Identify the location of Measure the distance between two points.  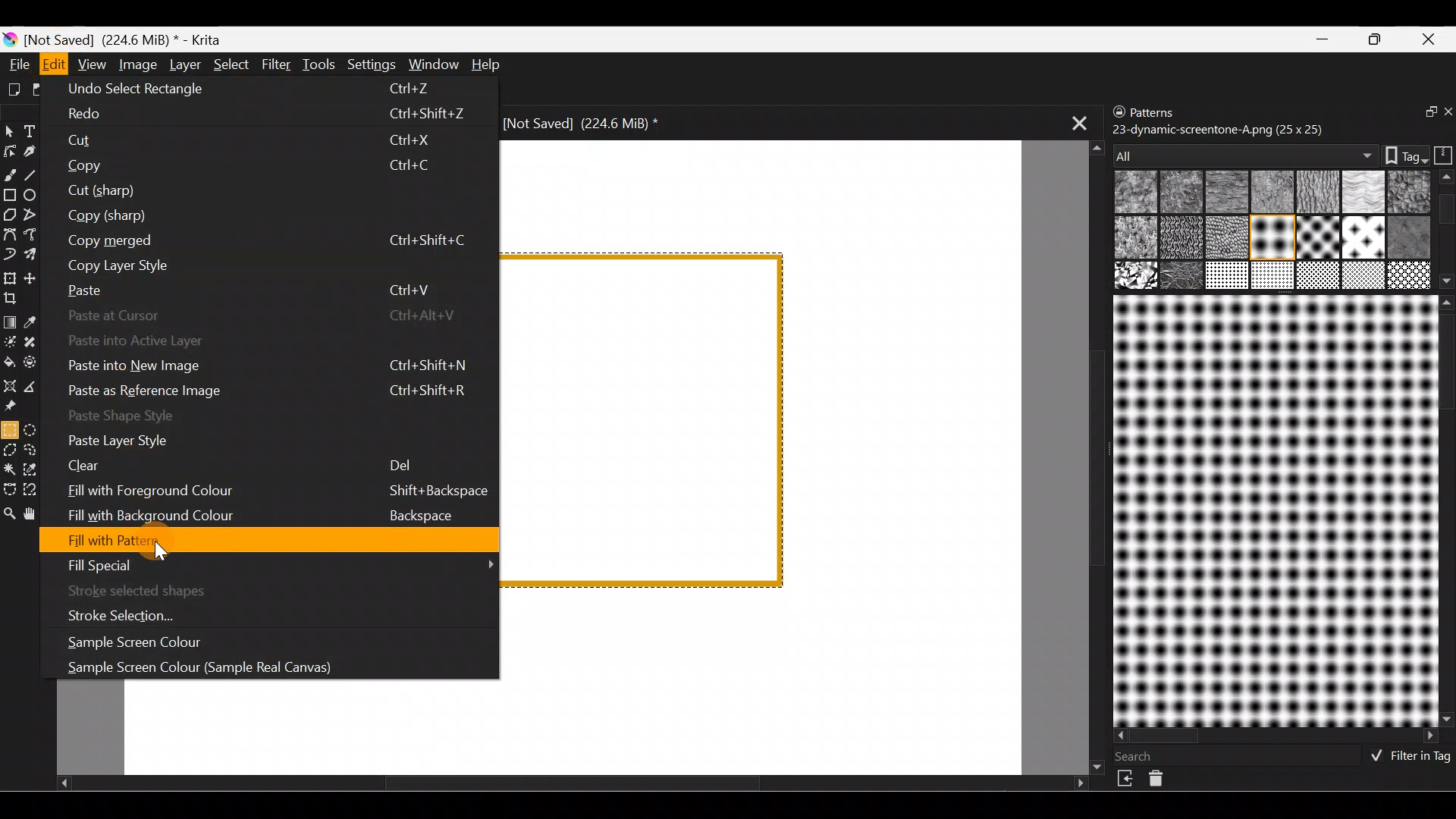
(37, 387).